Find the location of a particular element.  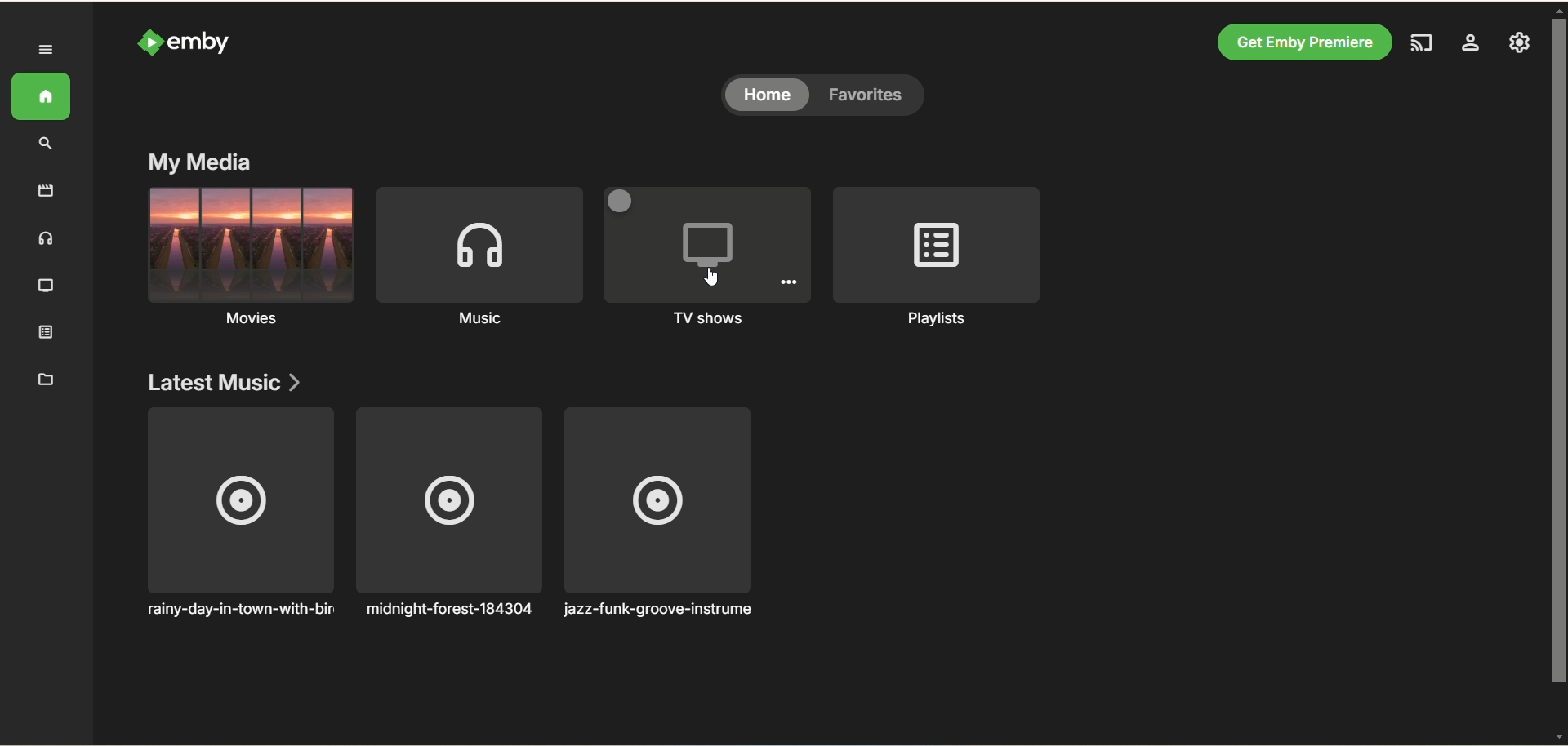

expand is located at coordinates (45, 49).